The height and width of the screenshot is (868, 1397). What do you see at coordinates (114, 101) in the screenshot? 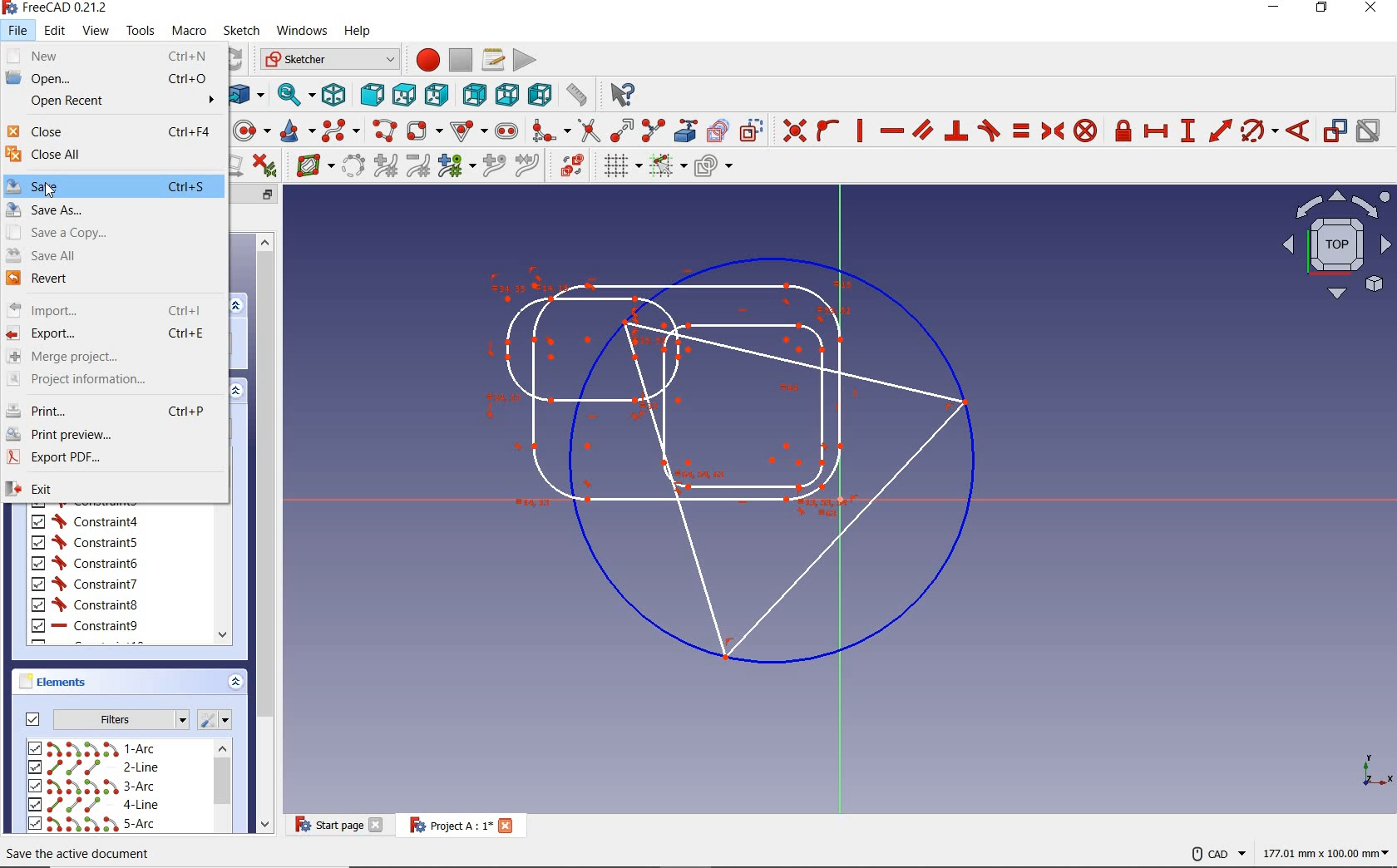
I see `open recent` at bounding box center [114, 101].